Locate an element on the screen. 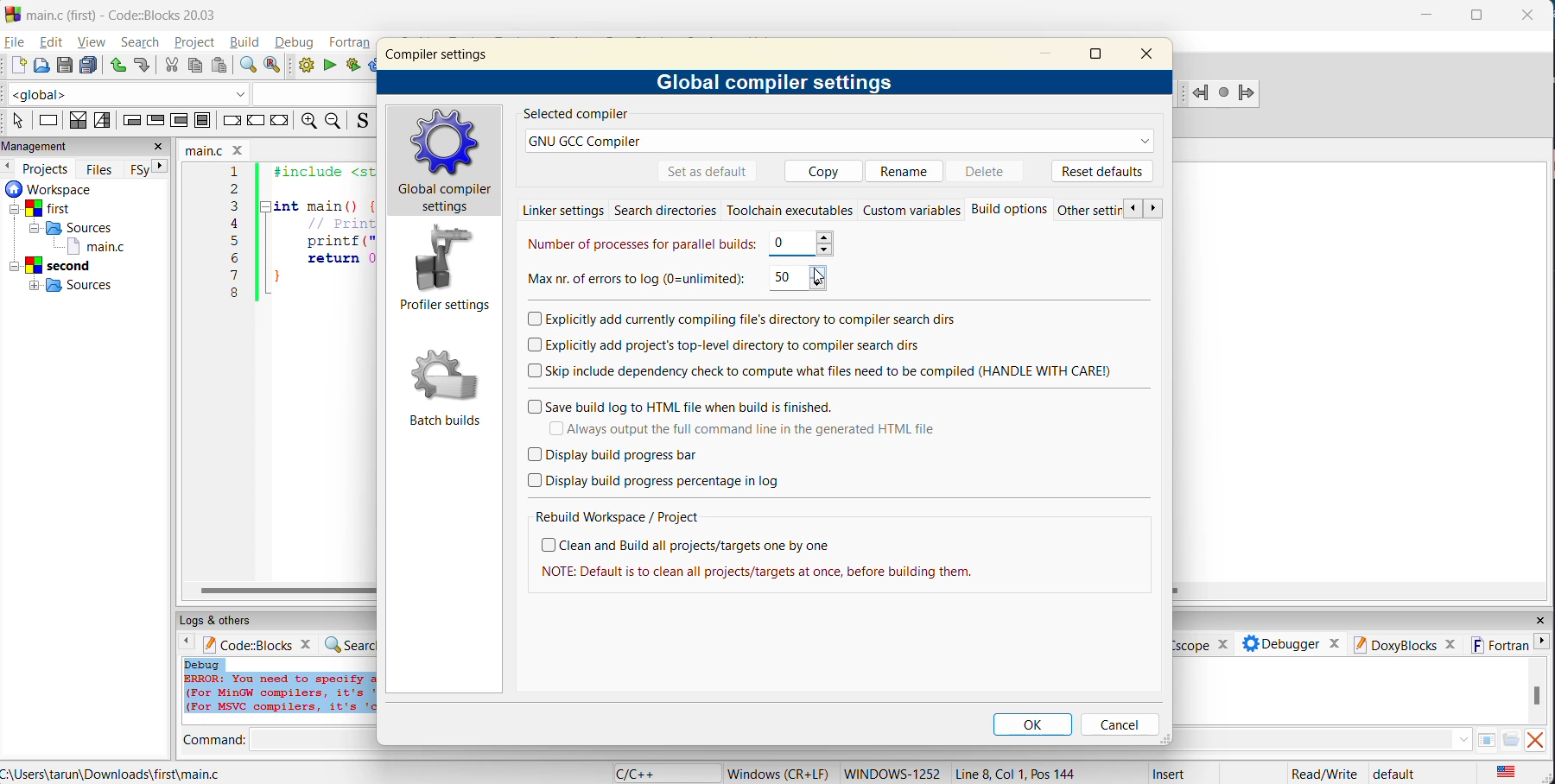 This screenshot has width=1555, height=784. maximize is located at coordinates (1476, 15).